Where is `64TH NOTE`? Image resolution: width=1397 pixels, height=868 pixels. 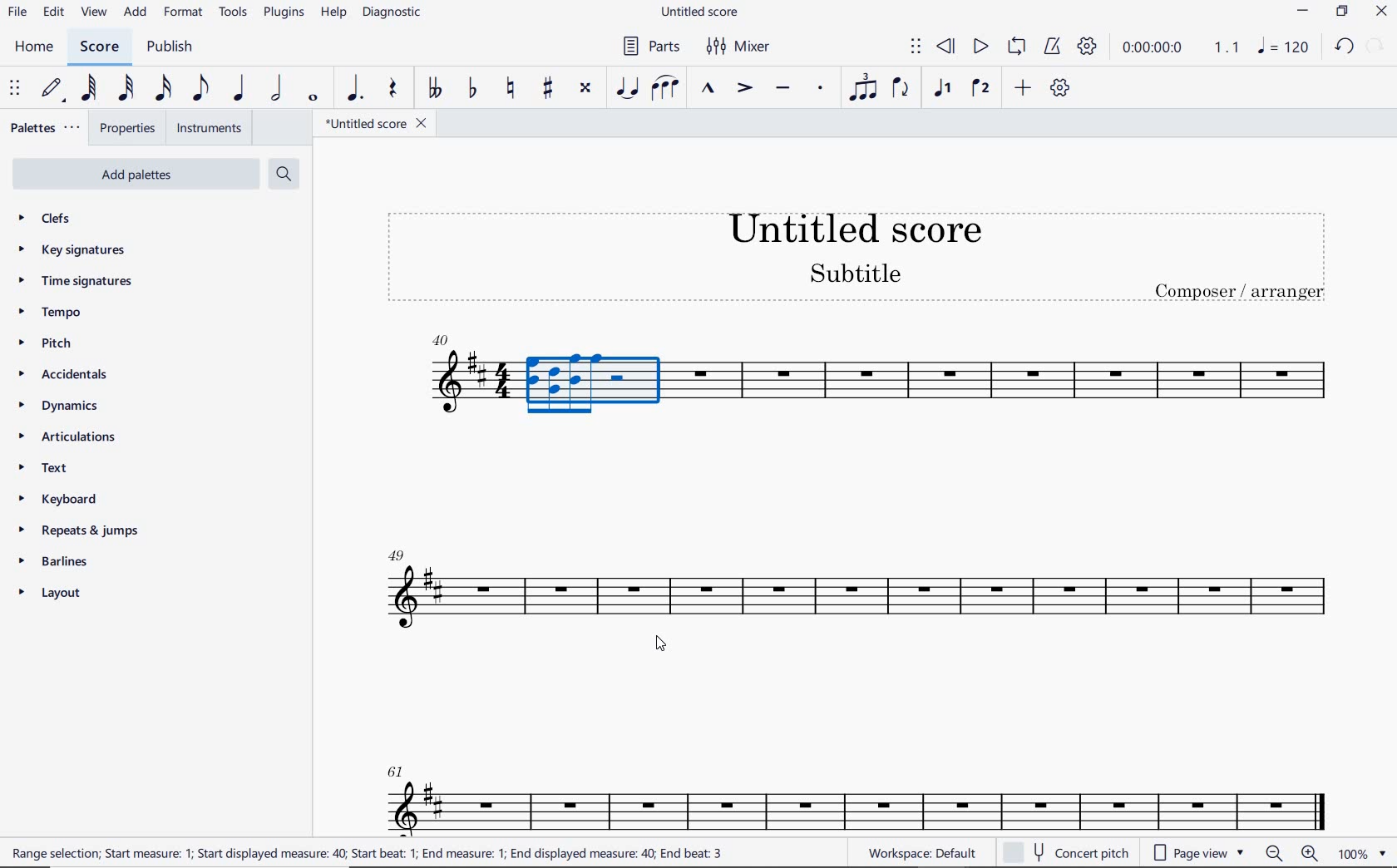 64TH NOTE is located at coordinates (91, 89).